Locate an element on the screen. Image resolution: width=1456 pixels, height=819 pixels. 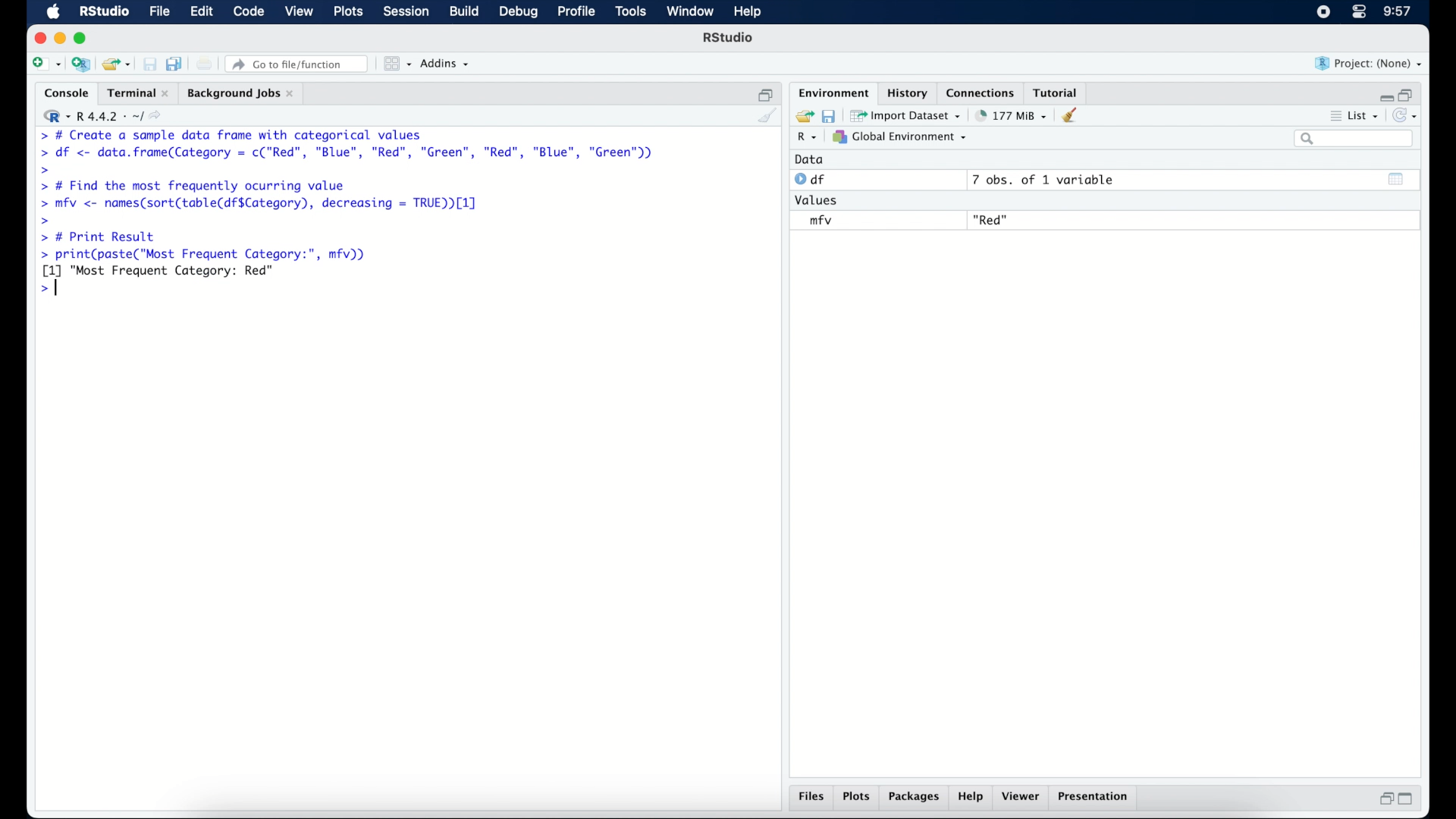
R is located at coordinates (810, 138).